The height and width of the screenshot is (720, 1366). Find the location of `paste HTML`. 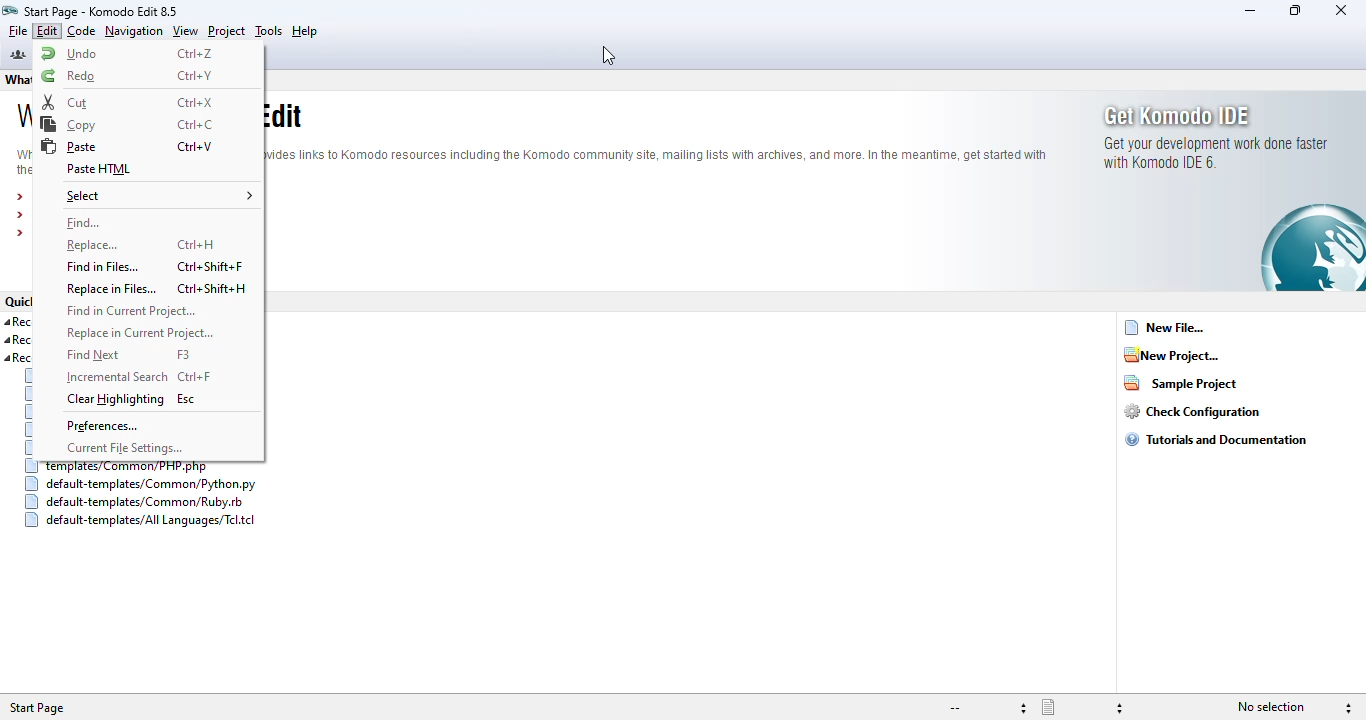

paste HTML is located at coordinates (96, 169).